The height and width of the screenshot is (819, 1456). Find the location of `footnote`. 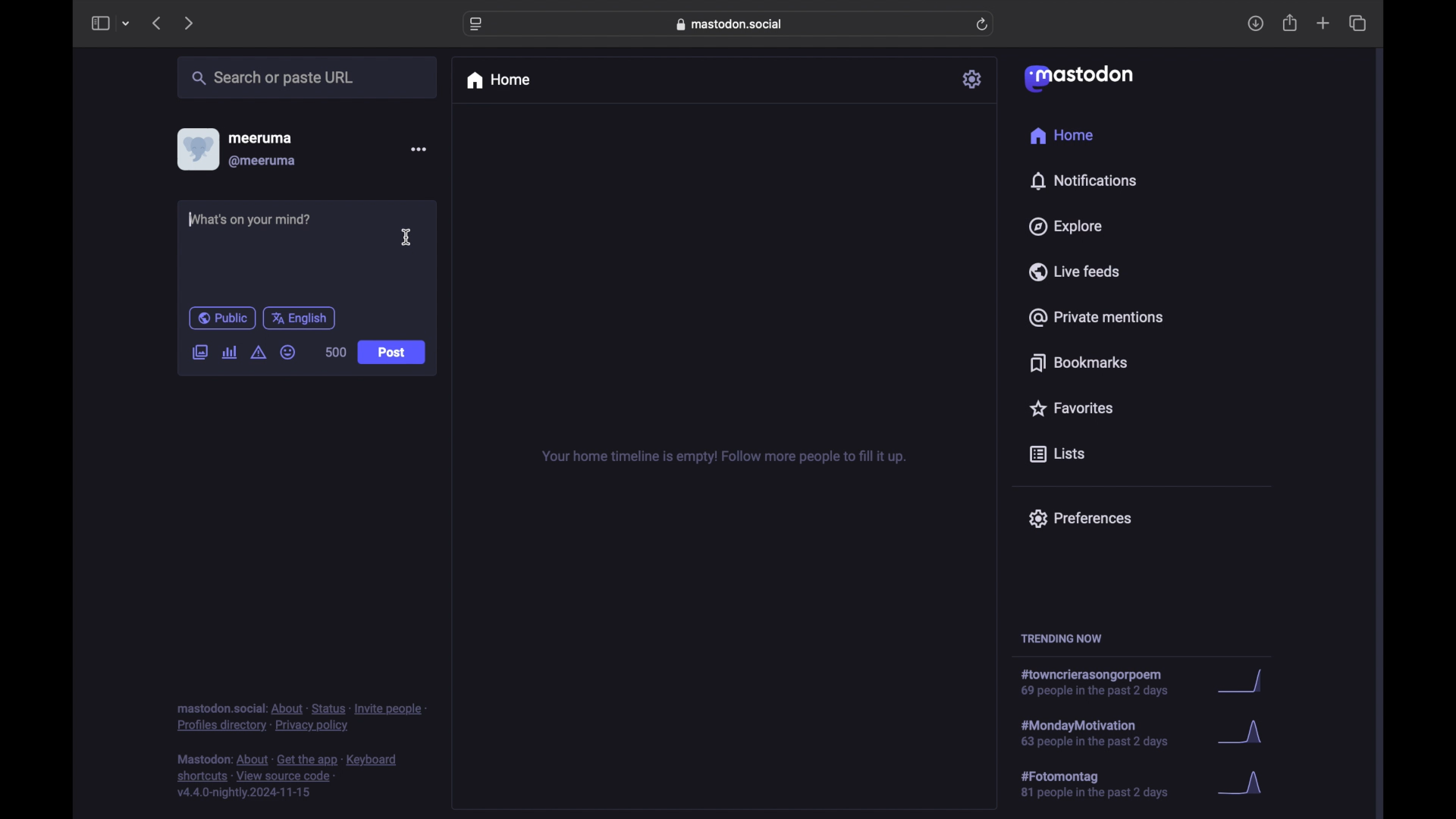

footnote is located at coordinates (290, 777).